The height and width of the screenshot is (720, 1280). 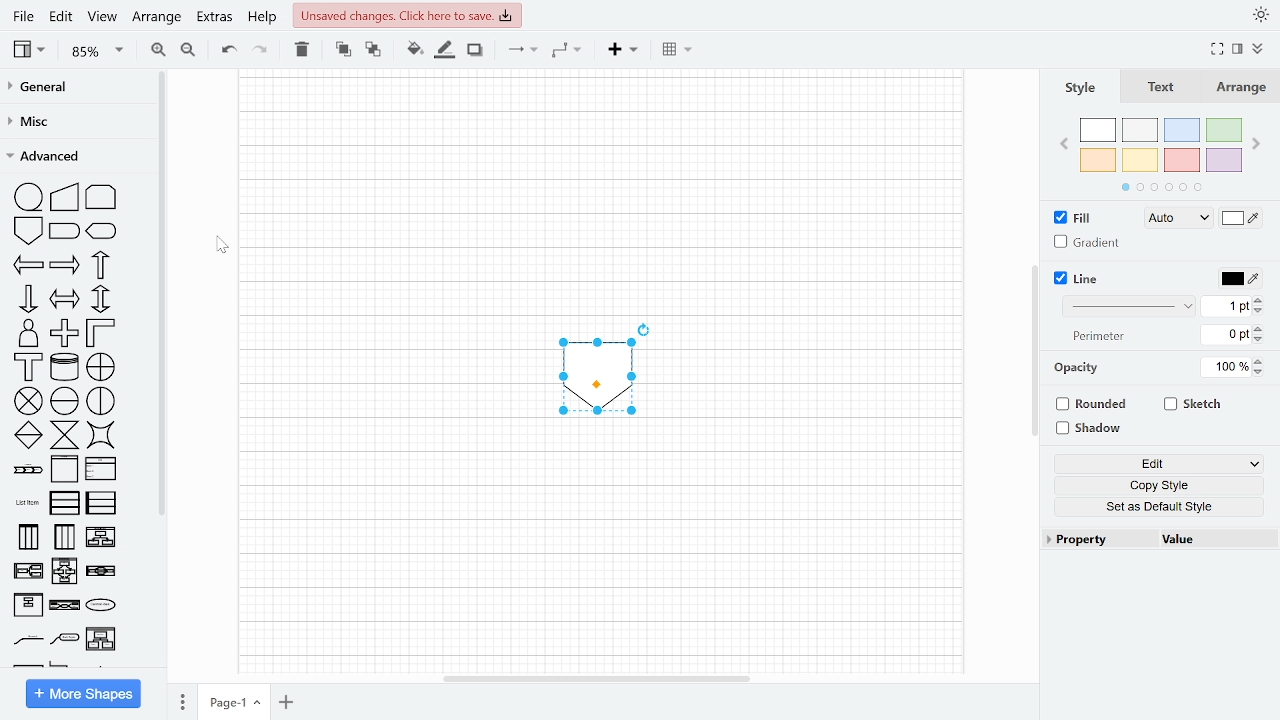 I want to click on Arrange, so click(x=1240, y=89).